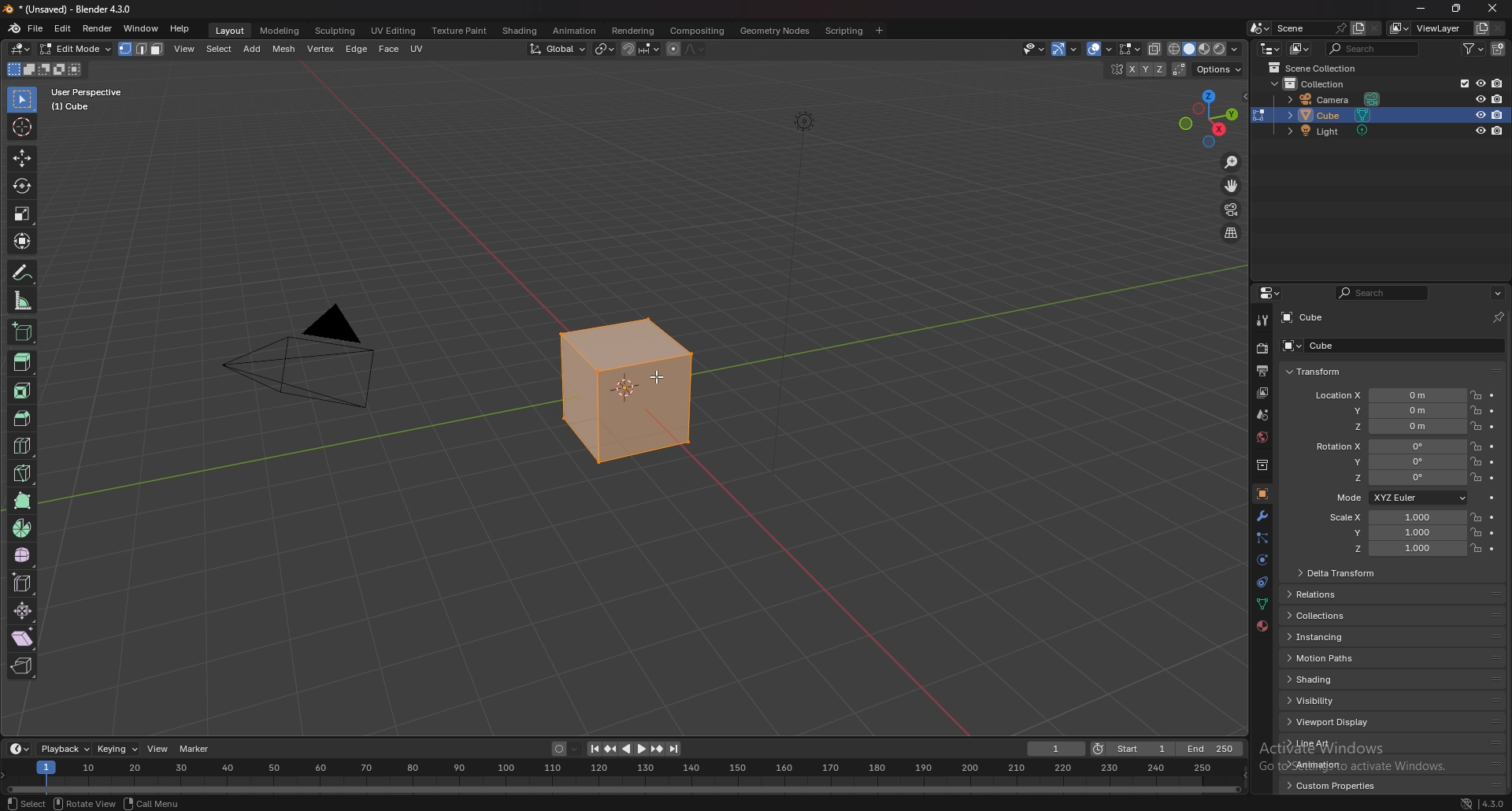  What do you see at coordinates (1477, 517) in the screenshot?
I see `lock location` at bounding box center [1477, 517].